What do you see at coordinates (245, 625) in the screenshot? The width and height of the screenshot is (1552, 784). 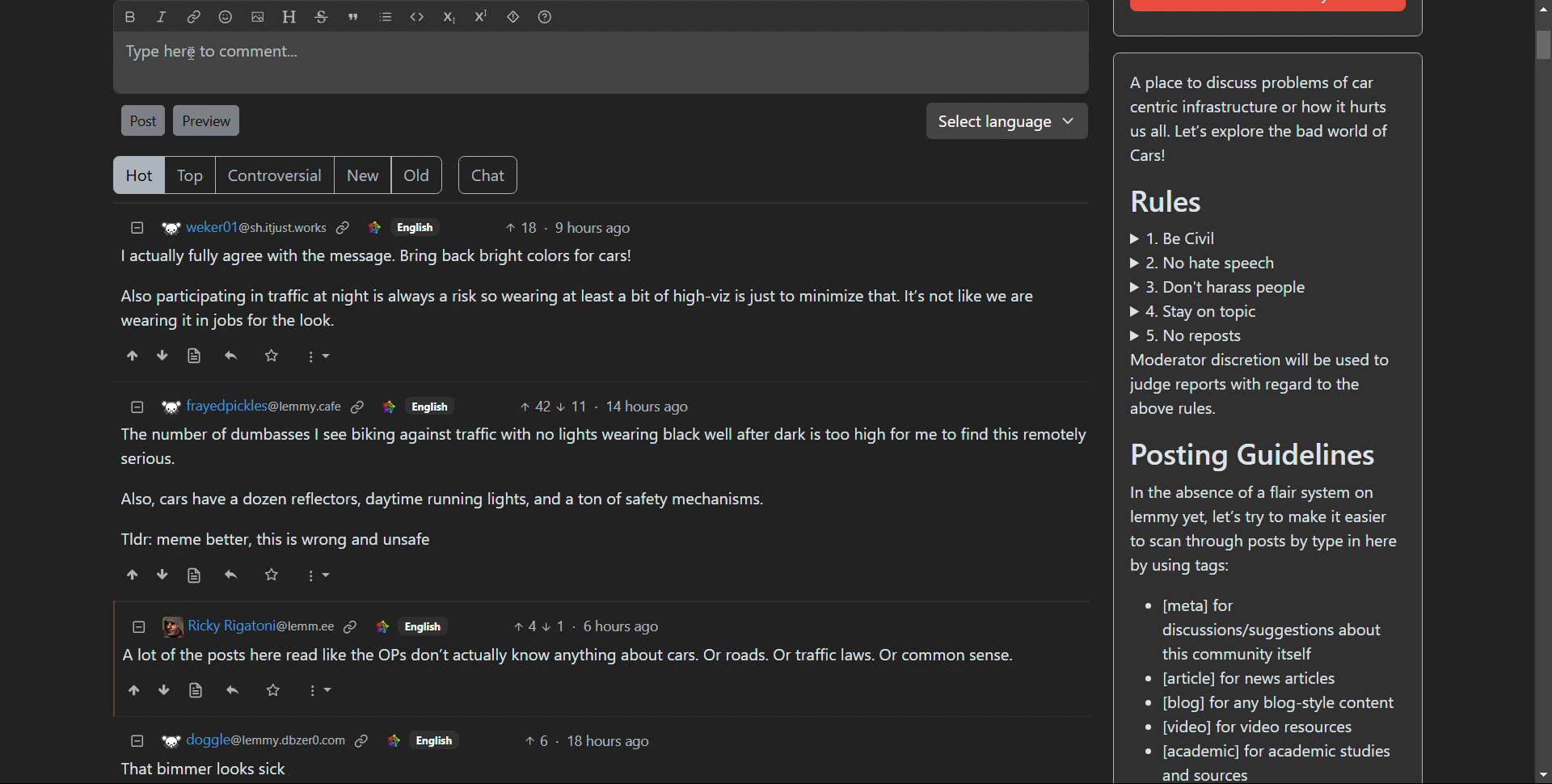 I see `[3 Ricky Rigatoni@lemm.ee` at bounding box center [245, 625].